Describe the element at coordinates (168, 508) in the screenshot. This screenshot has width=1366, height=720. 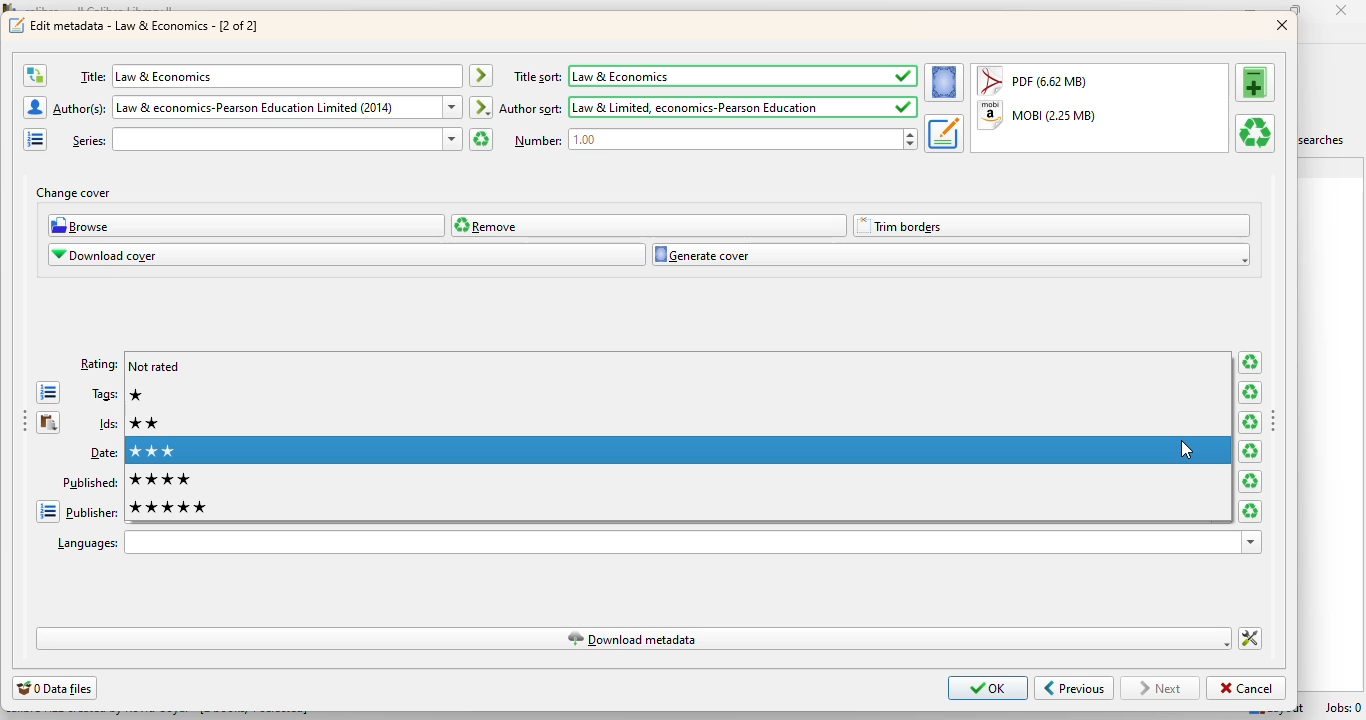
I see `5 stars` at that location.